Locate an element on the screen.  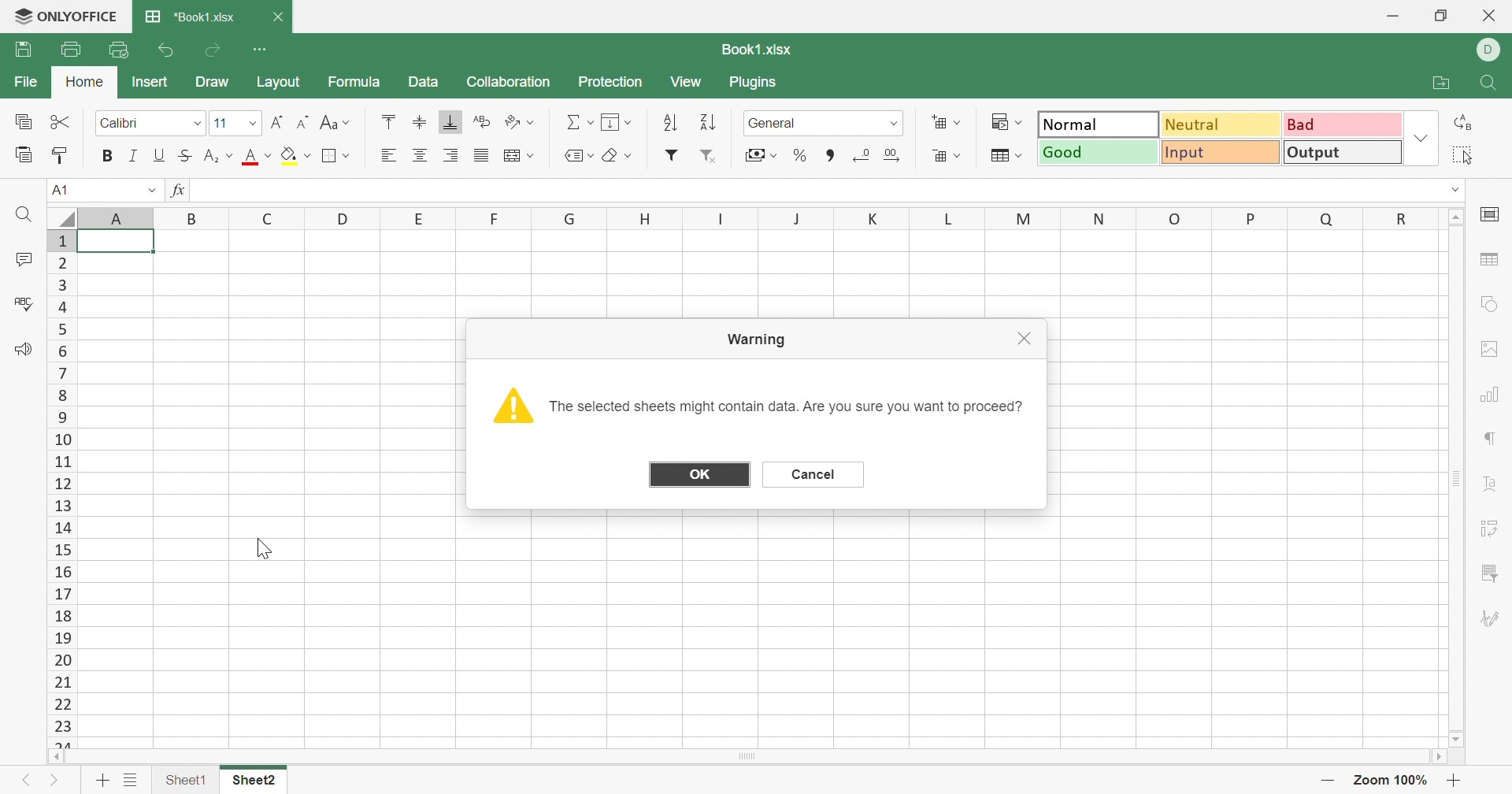
Customize Quick access toolbar is located at coordinates (264, 49).